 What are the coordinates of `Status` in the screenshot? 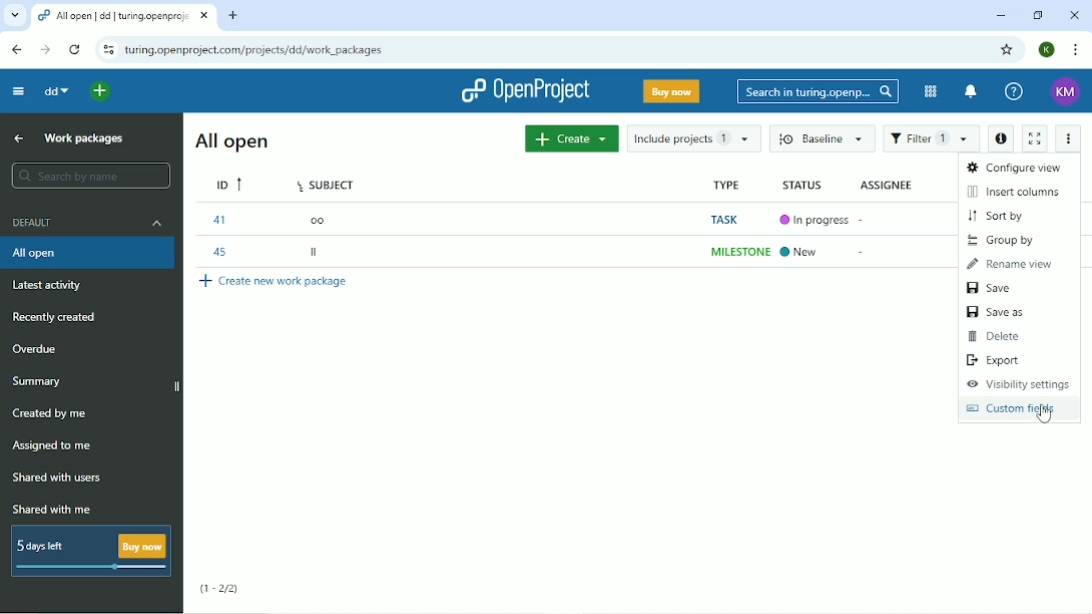 It's located at (811, 186).